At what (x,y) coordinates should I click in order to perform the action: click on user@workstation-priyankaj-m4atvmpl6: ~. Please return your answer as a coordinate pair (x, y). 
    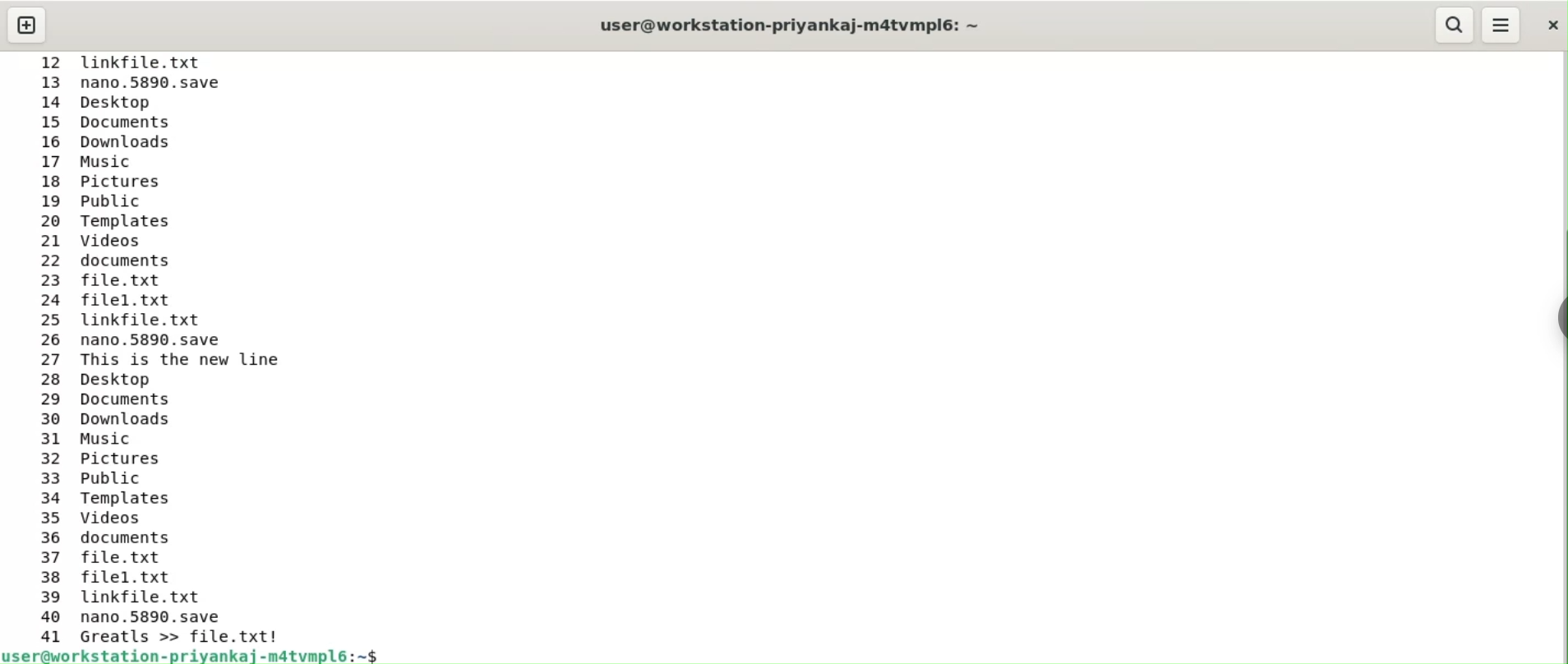
    Looking at the image, I should click on (791, 22).